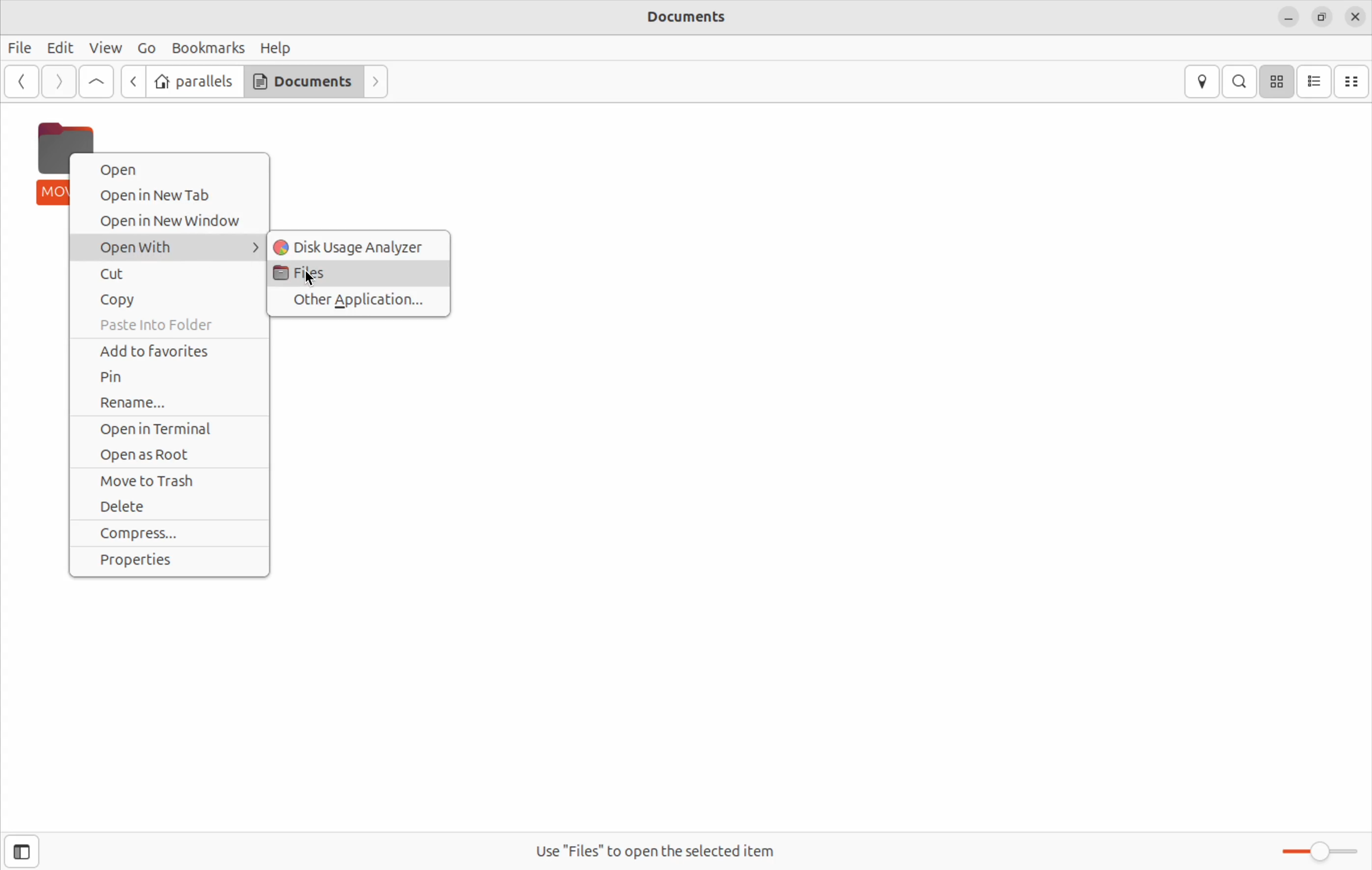 This screenshot has width=1372, height=870. Describe the element at coordinates (362, 302) in the screenshot. I see `Other Application` at that location.